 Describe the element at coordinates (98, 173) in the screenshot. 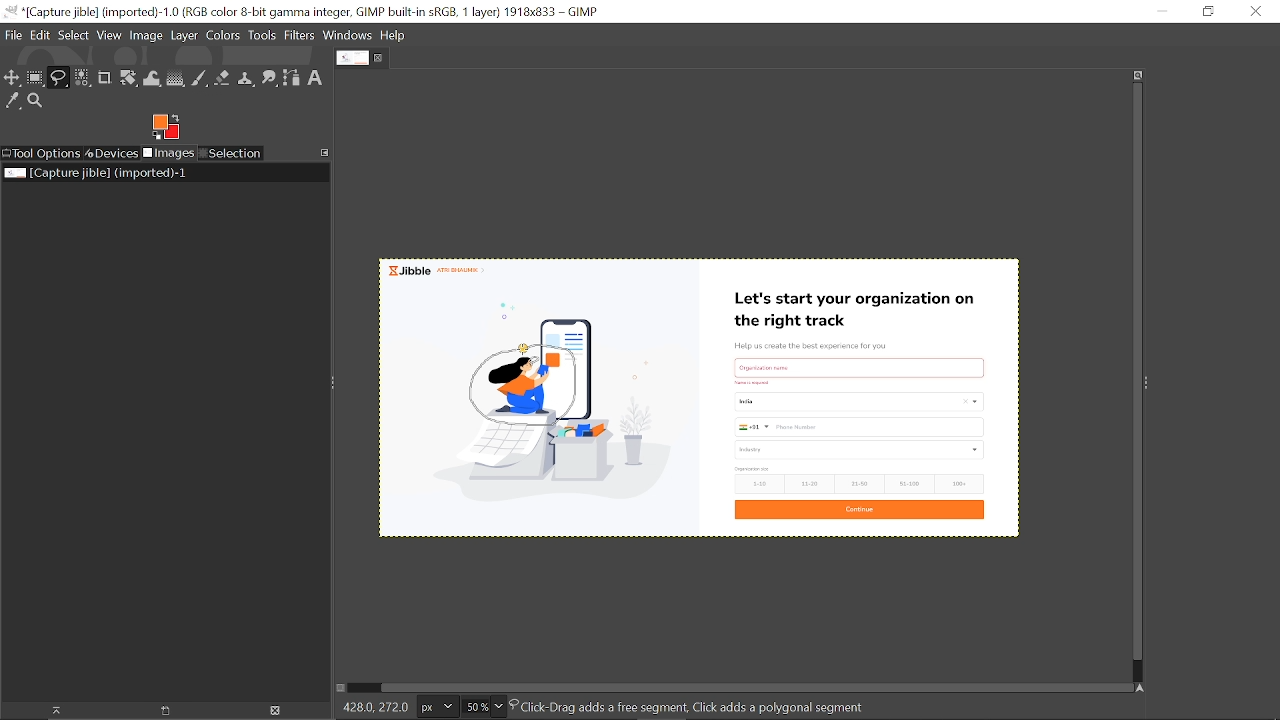

I see `Current image` at that location.